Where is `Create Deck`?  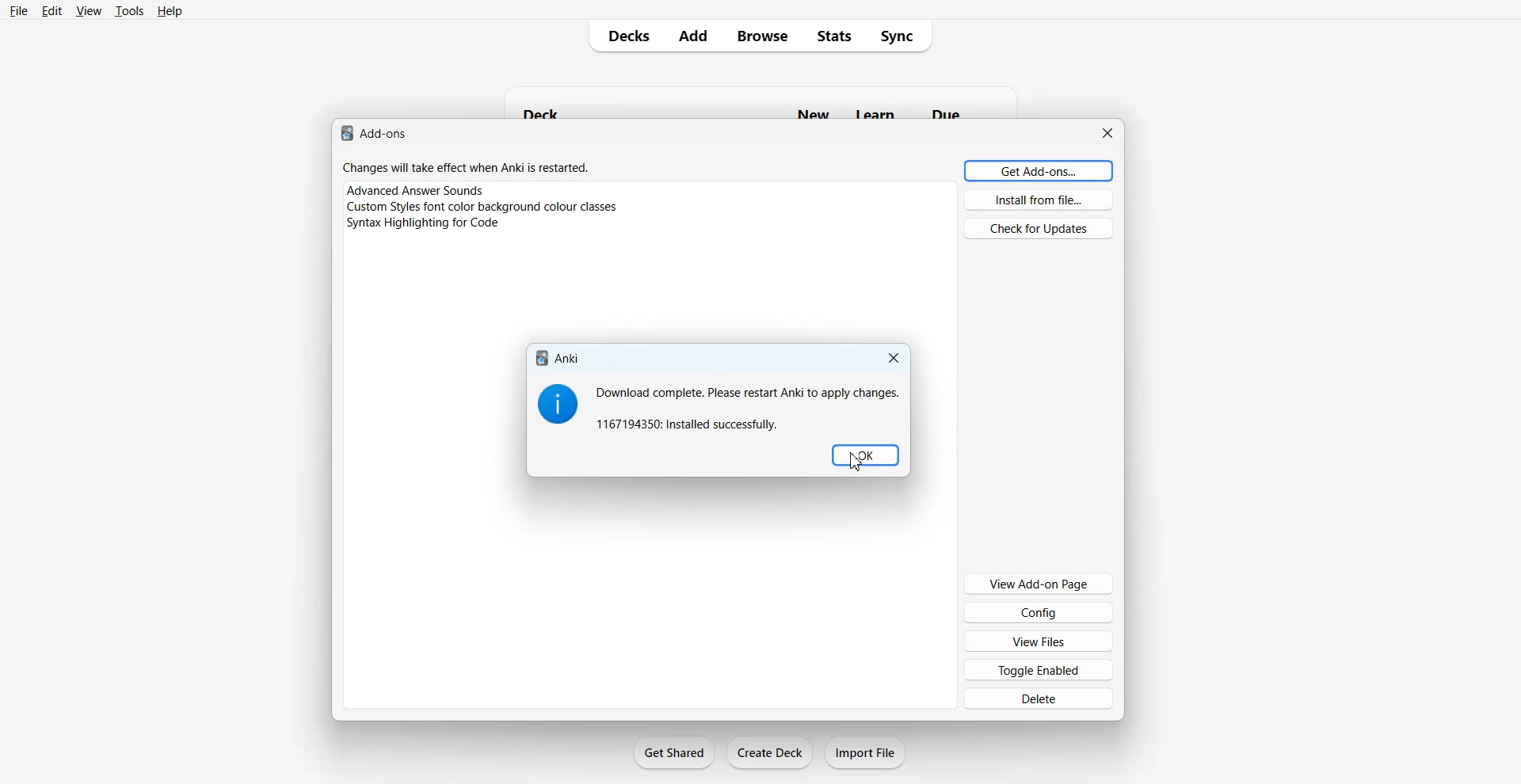 Create Deck is located at coordinates (769, 752).